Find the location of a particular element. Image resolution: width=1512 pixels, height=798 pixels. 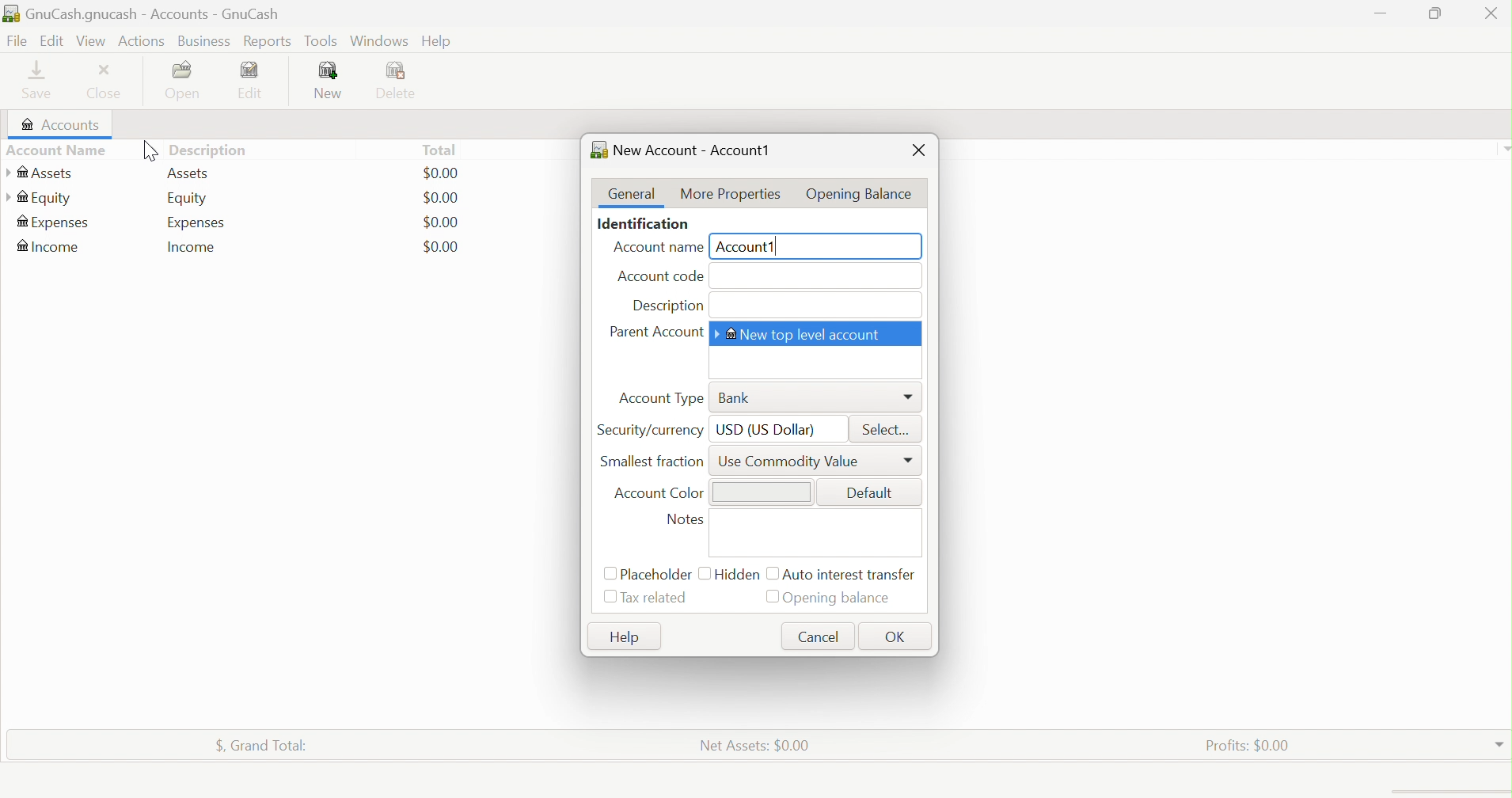

Hidden is located at coordinates (739, 573).